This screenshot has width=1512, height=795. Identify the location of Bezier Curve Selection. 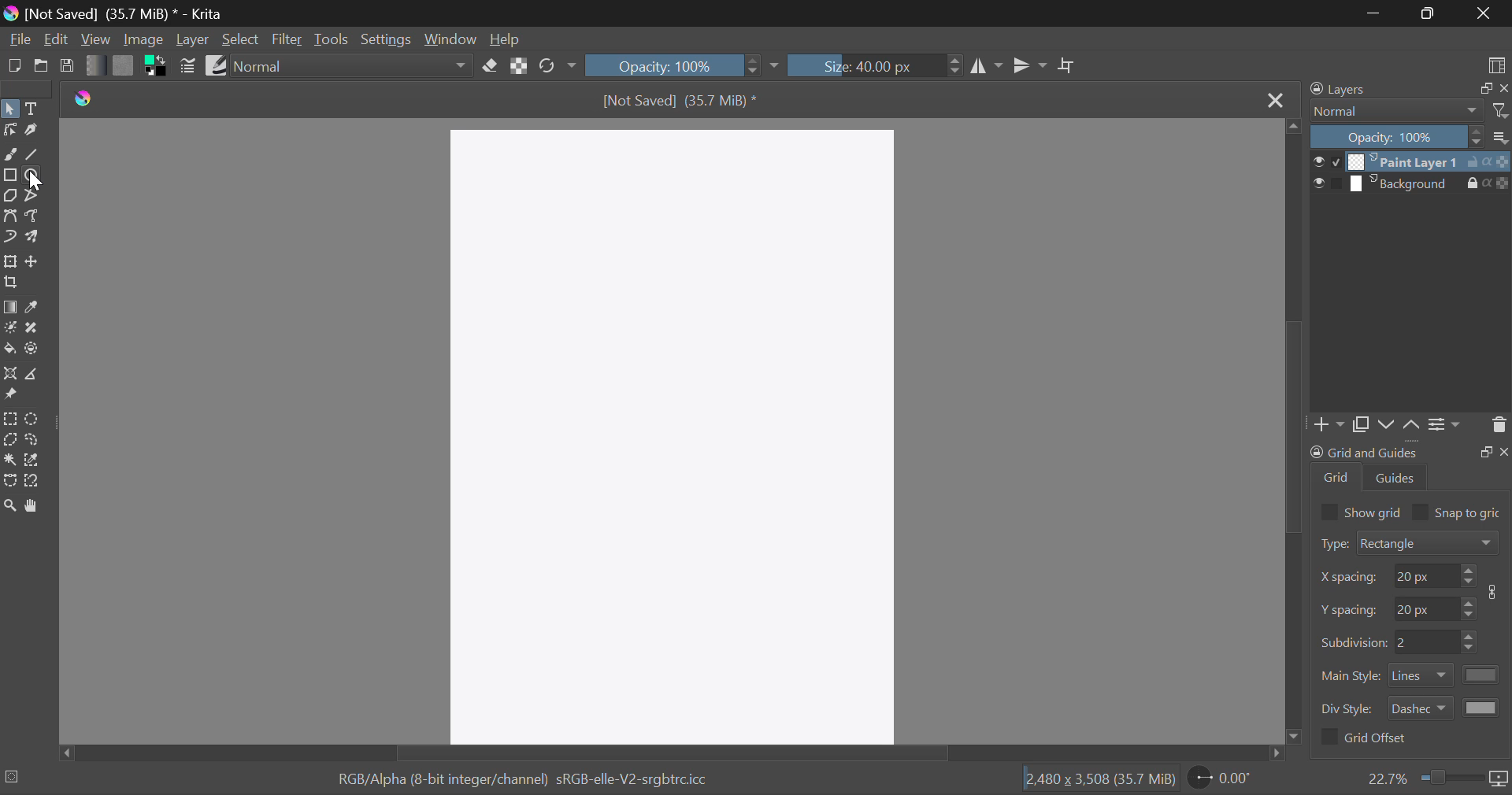
(9, 482).